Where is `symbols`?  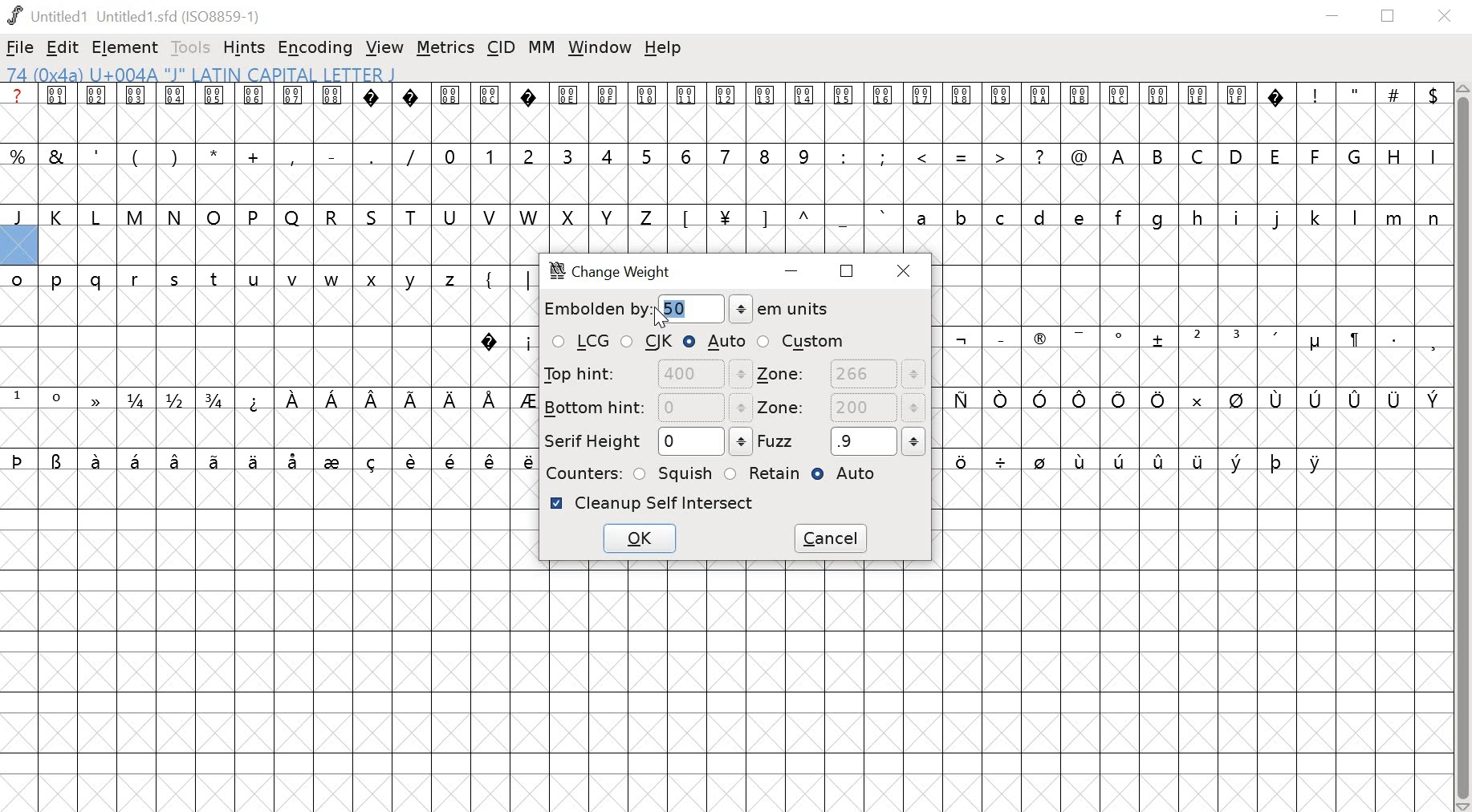 symbols is located at coordinates (783, 217).